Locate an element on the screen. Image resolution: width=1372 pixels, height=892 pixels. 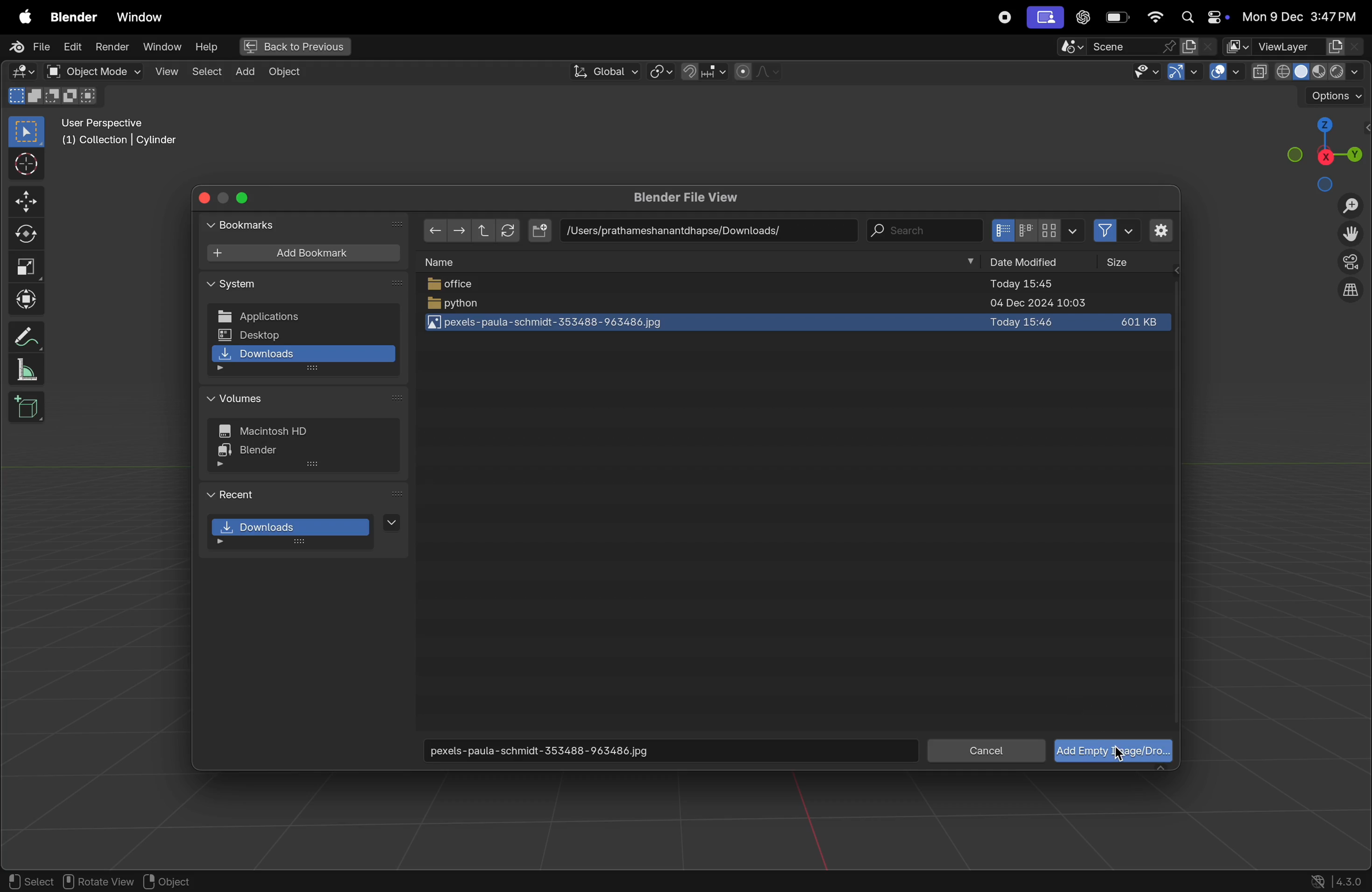
apple widgets is located at coordinates (1200, 18).